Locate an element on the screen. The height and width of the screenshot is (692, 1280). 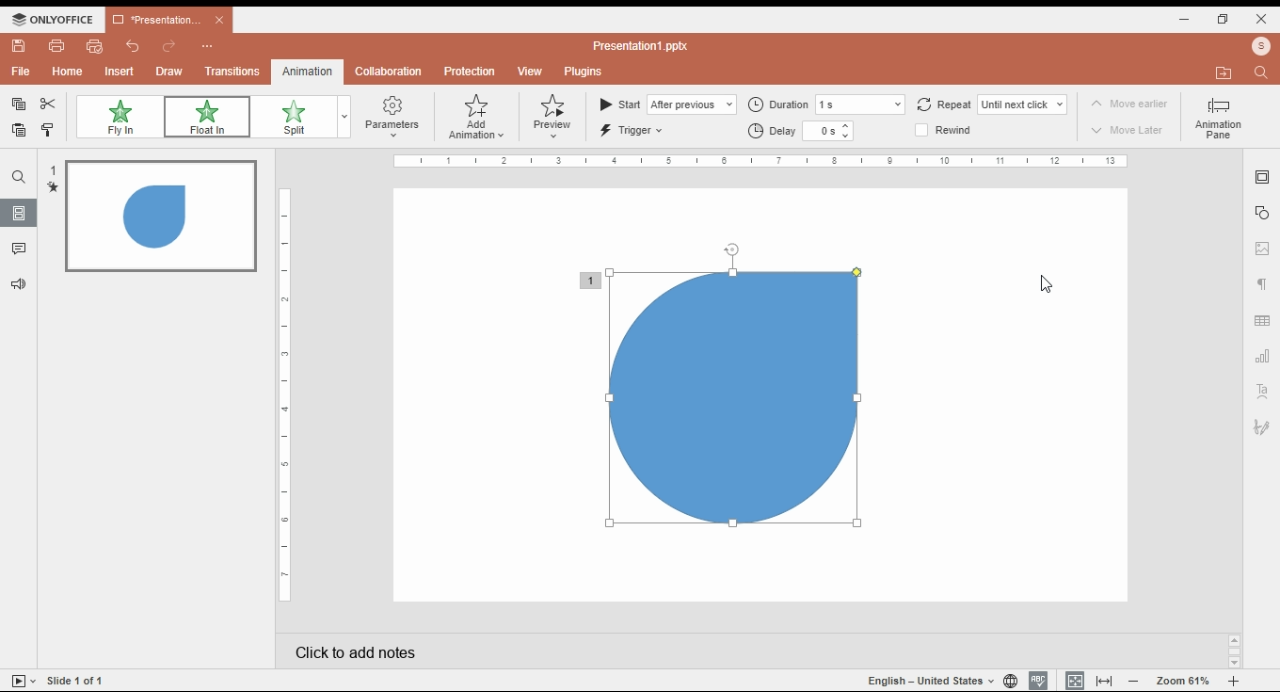
delay is located at coordinates (801, 131).